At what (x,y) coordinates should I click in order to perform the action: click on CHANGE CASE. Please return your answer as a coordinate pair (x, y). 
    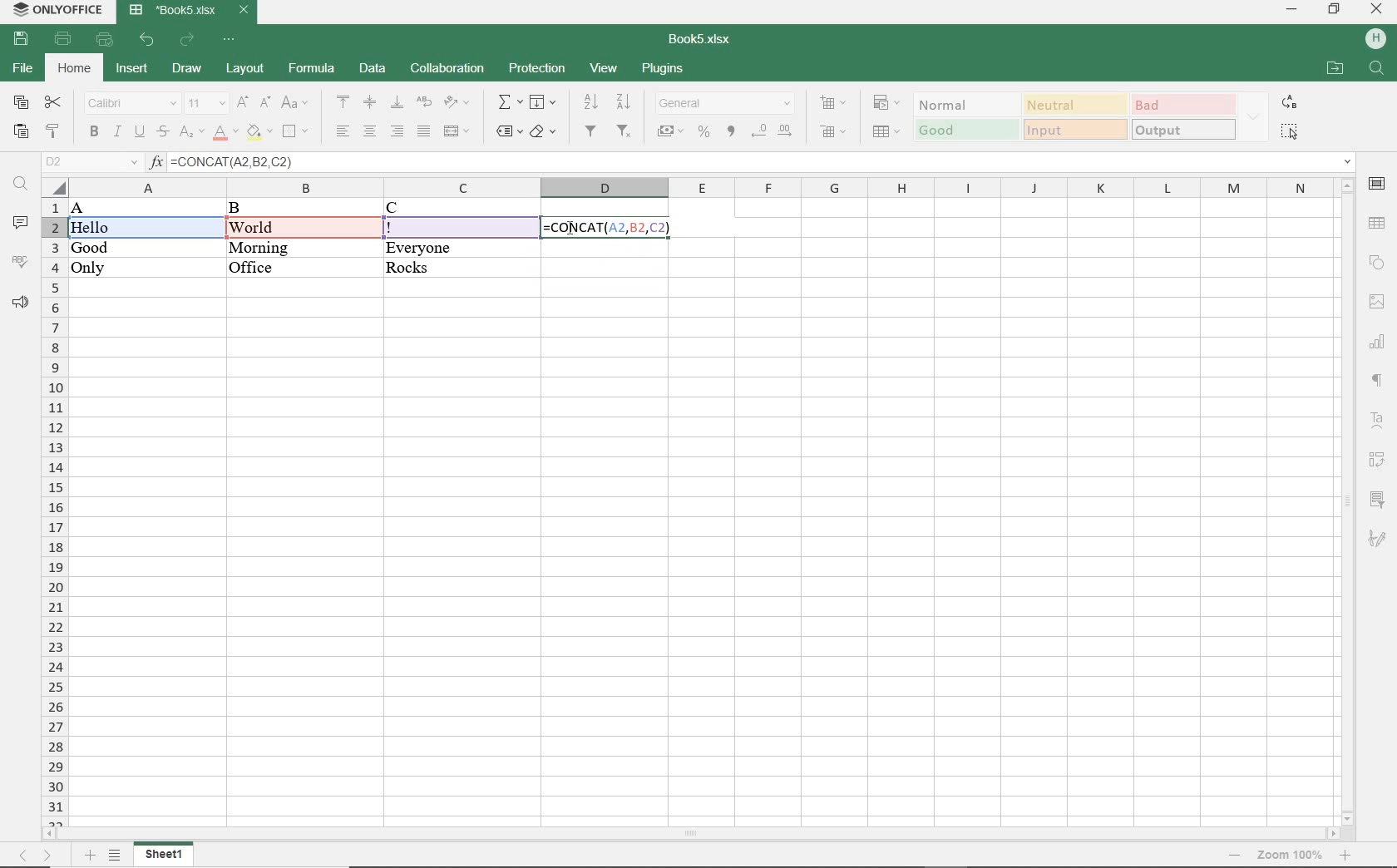
    Looking at the image, I should click on (295, 104).